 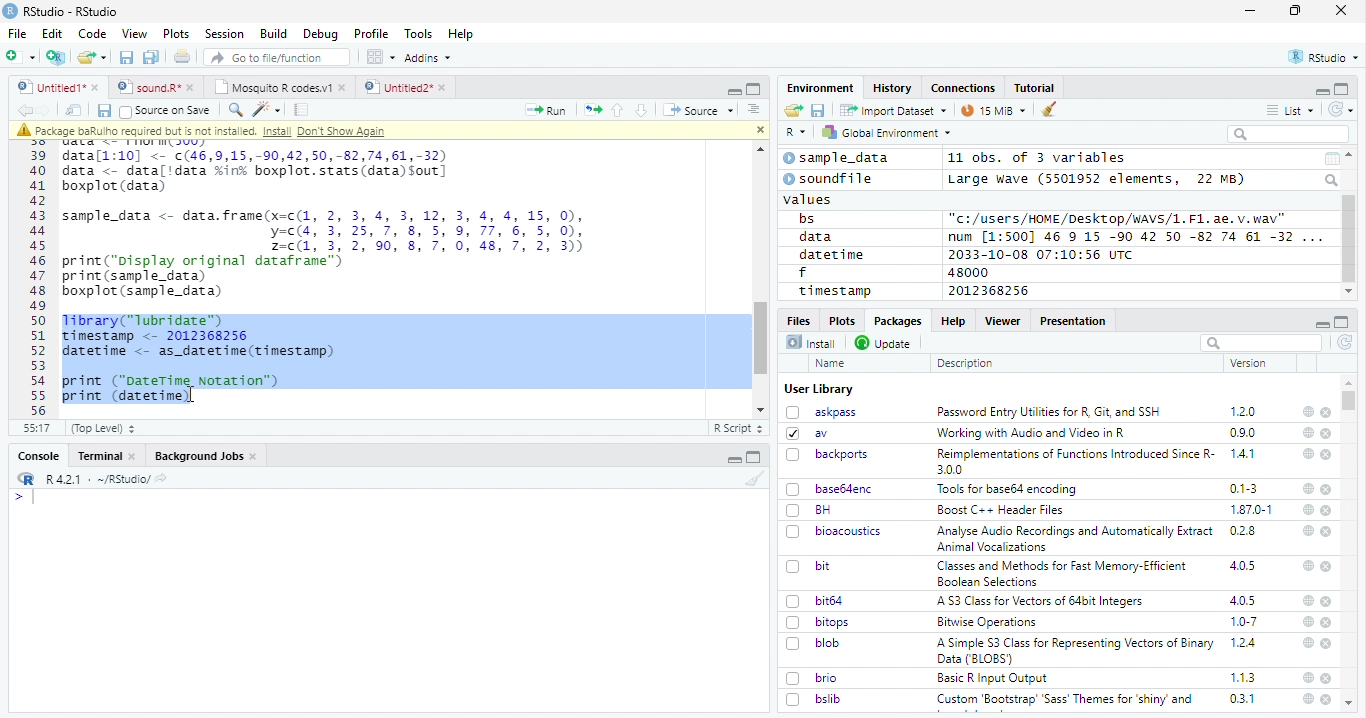 I want to click on askpass, so click(x=820, y=412).